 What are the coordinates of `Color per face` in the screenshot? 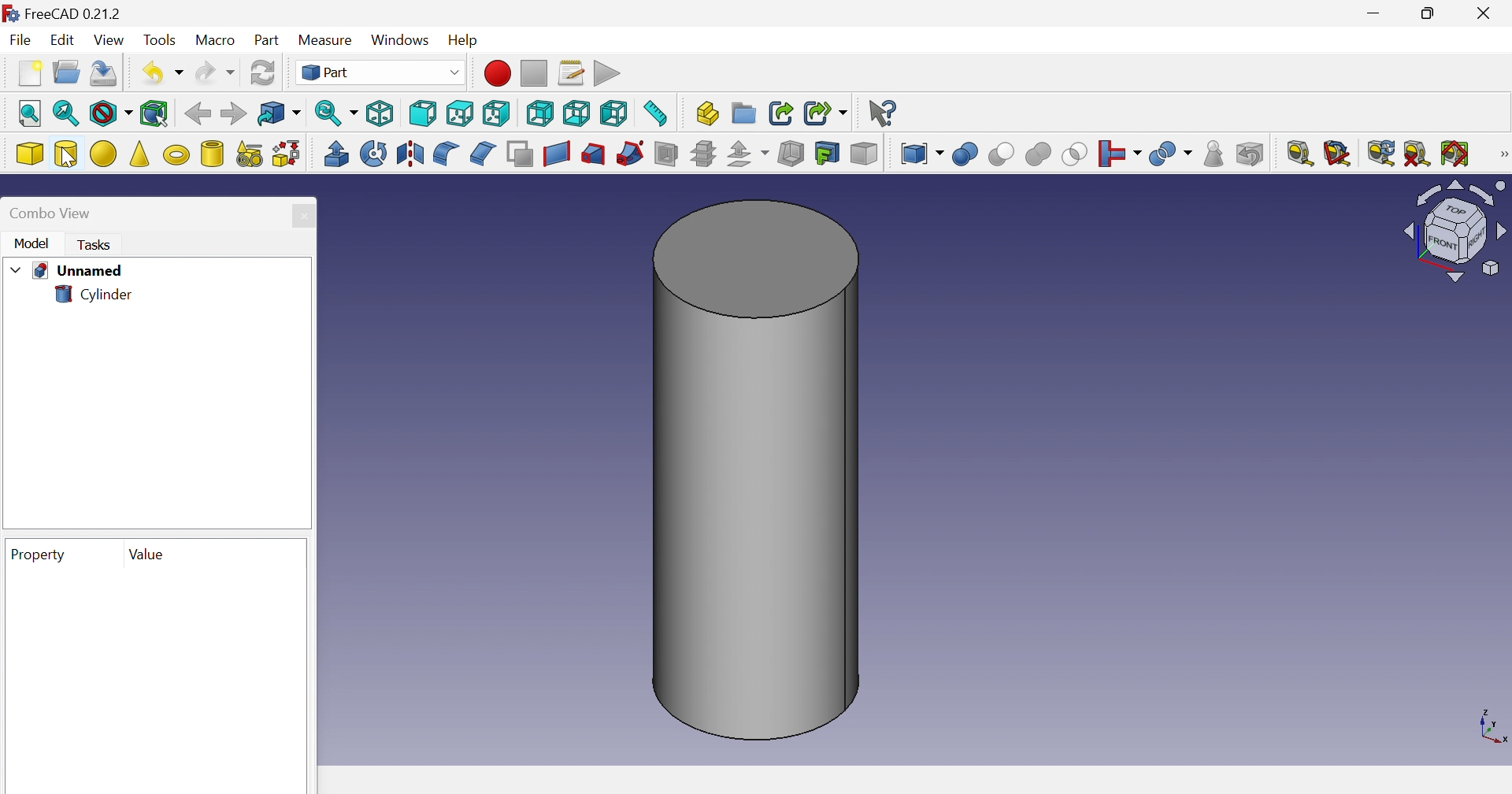 It's located at (865, 155).